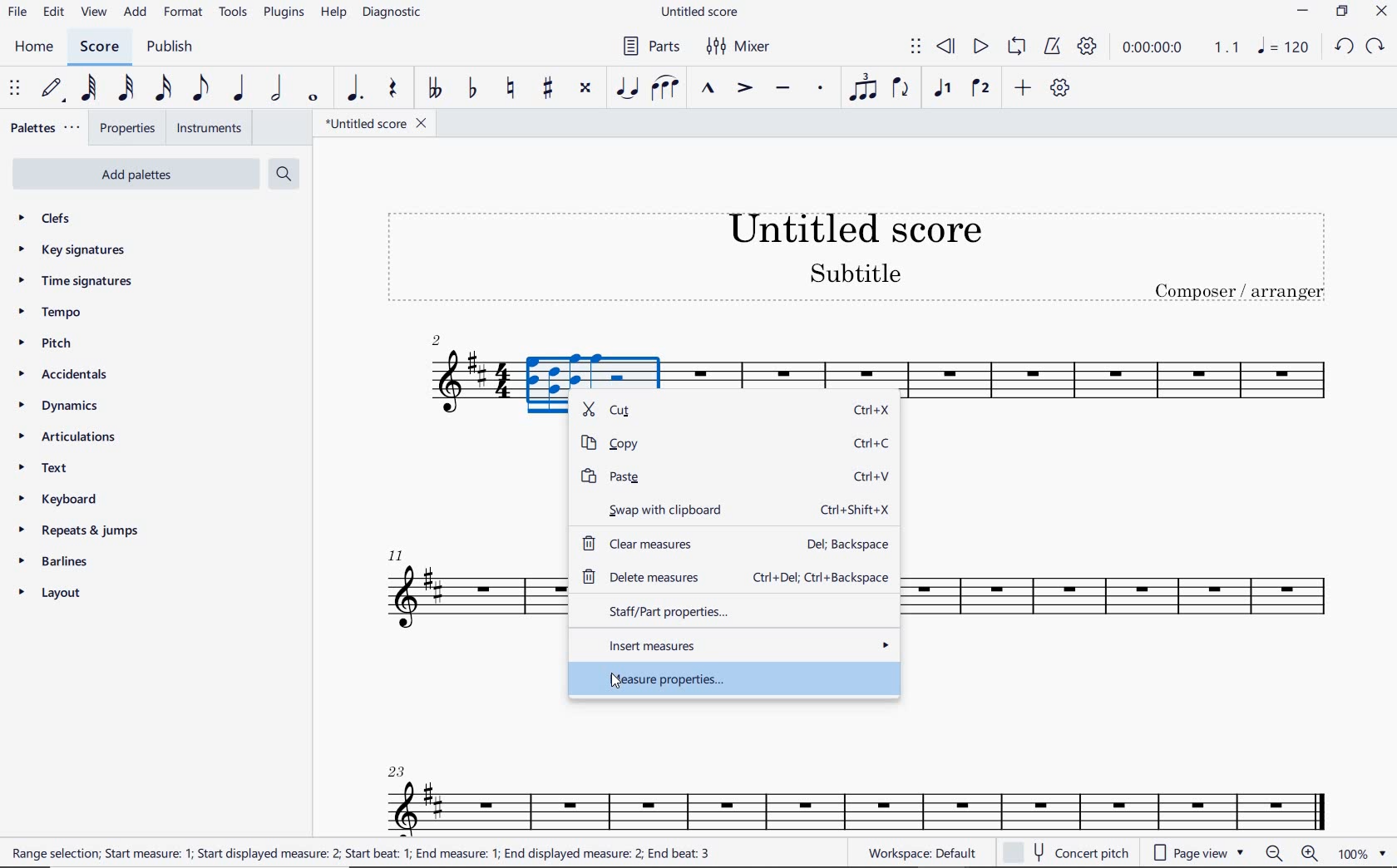  I want to click on NOTE, so click(1282, 47).